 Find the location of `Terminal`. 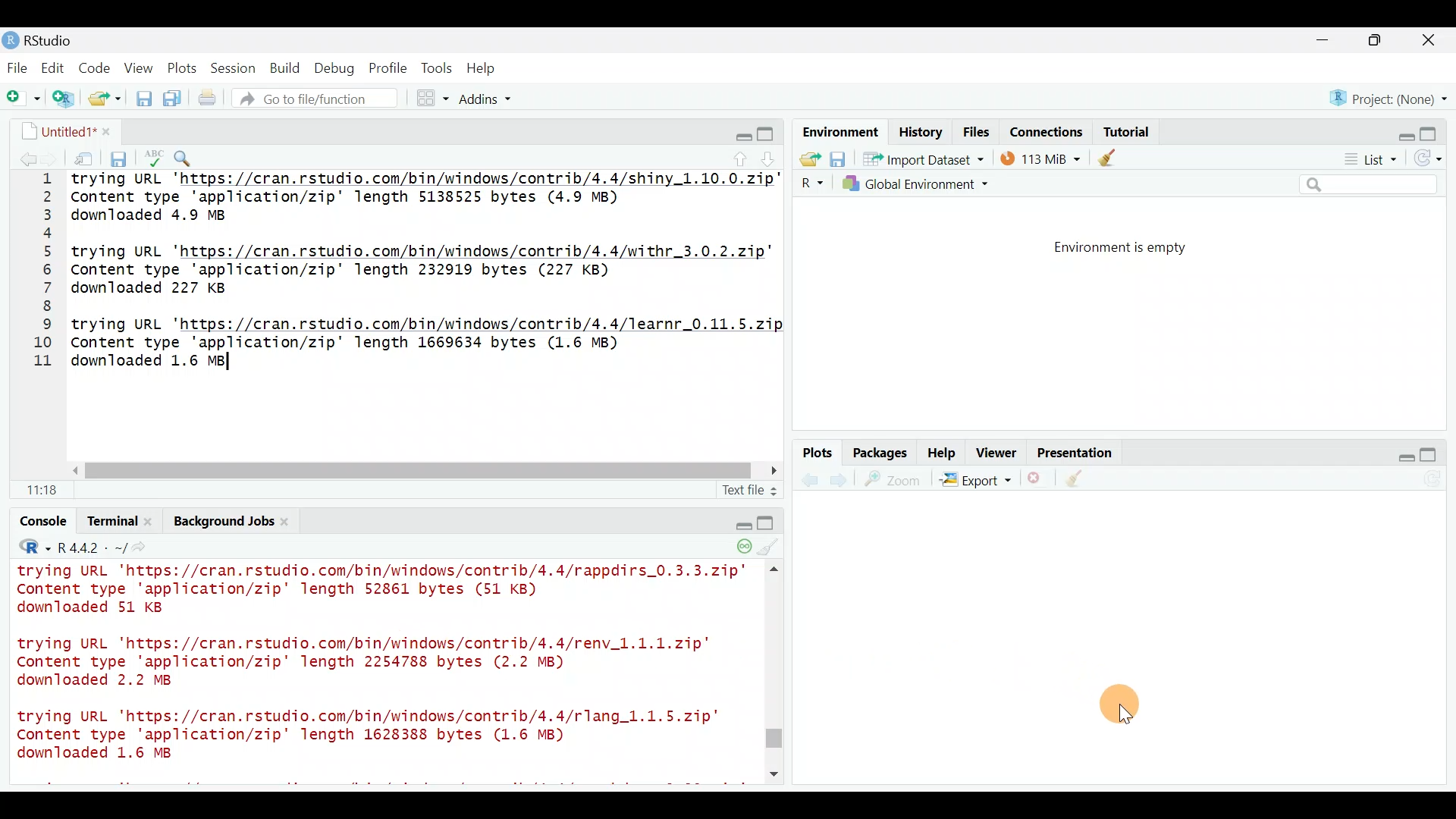

Terminal is located at coordinates (105, 522).